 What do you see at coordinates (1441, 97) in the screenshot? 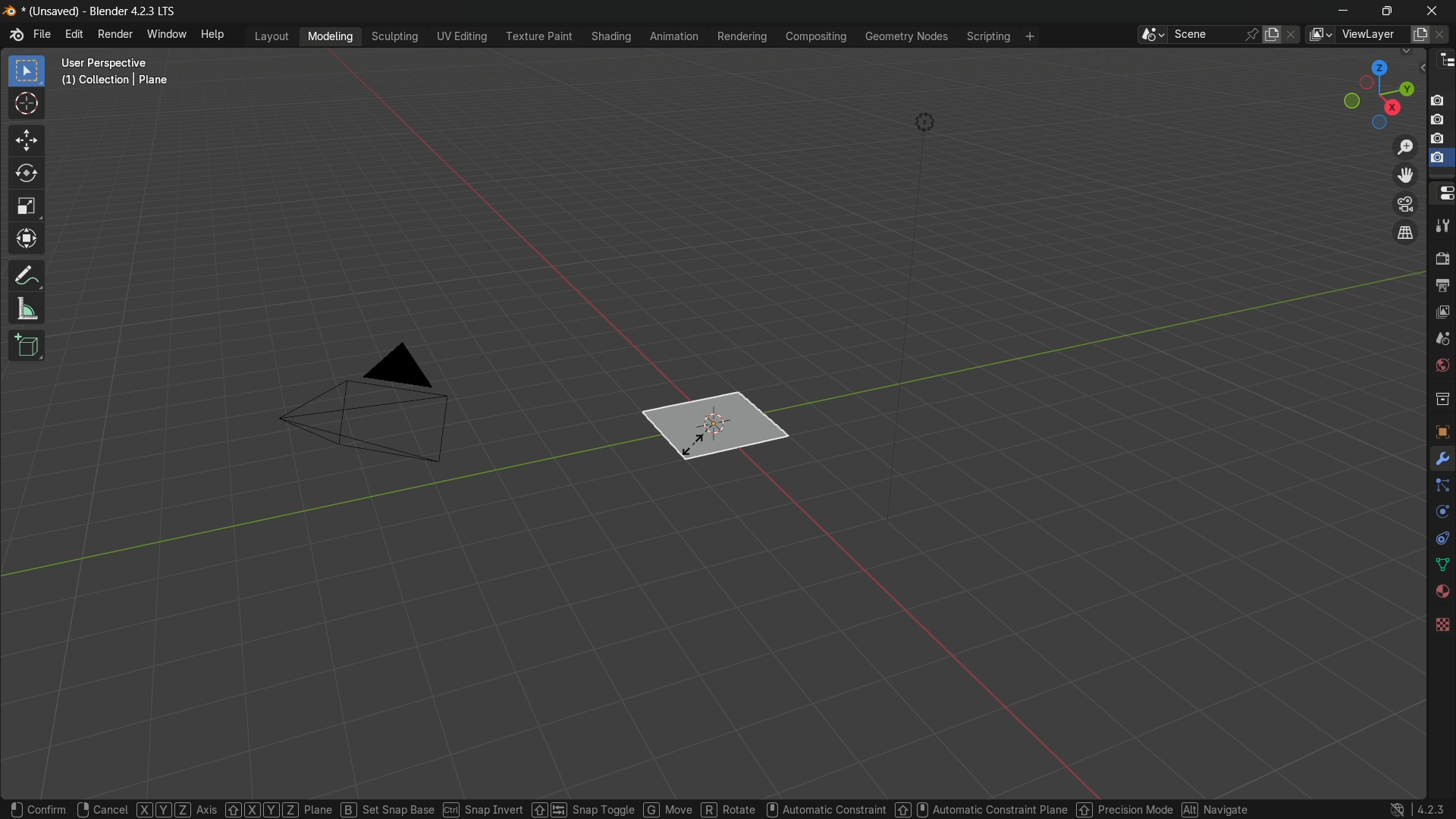
I see `capture` at bounding box center [1441, 97].